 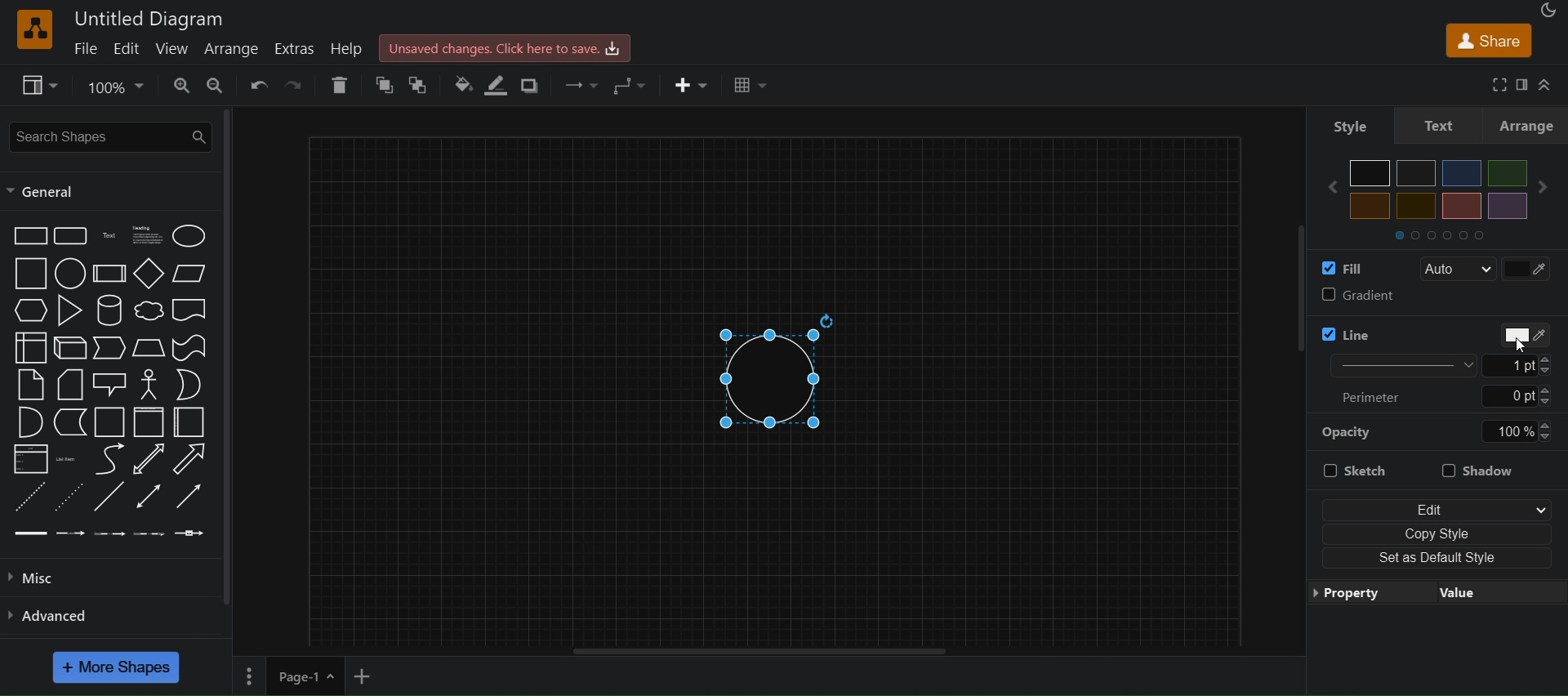 What do you see at coordinates (1528, 365) in the screenshot?
I see `1 pt` at bounding box center [1528, 365].